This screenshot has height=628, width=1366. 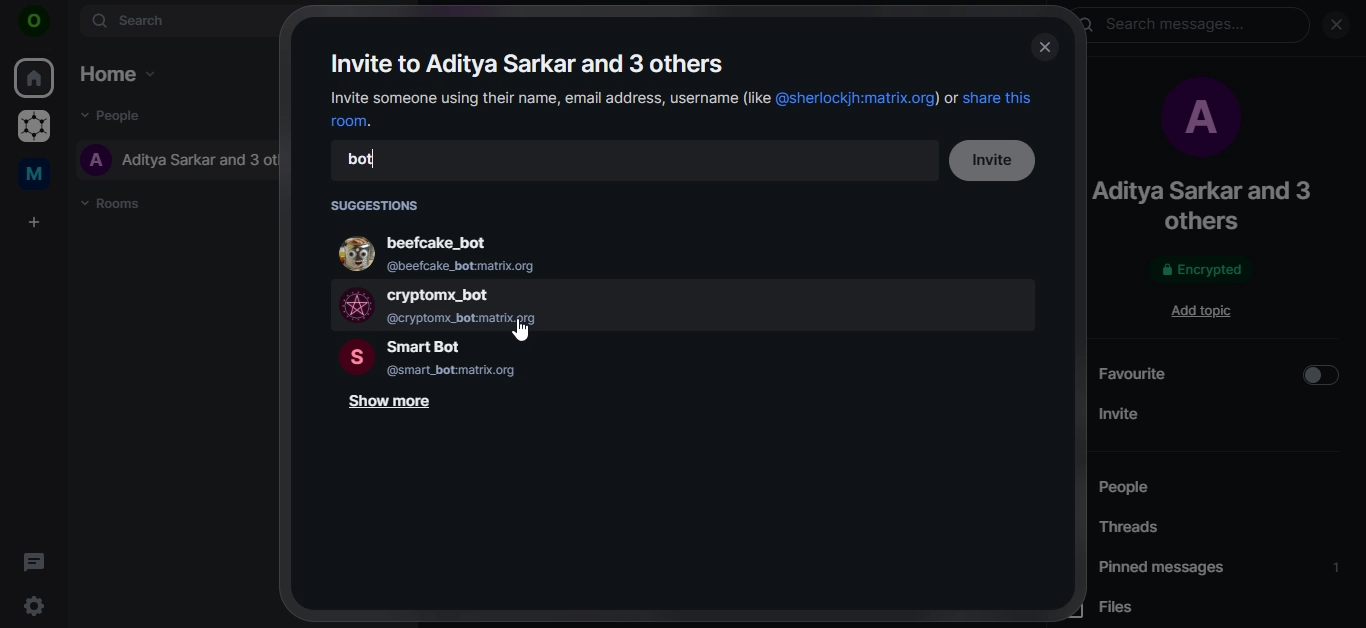 What do you see at coordinates (1357, 224) in the screenshot?
I see `scrollbar` at bounding box center [1357, 224].